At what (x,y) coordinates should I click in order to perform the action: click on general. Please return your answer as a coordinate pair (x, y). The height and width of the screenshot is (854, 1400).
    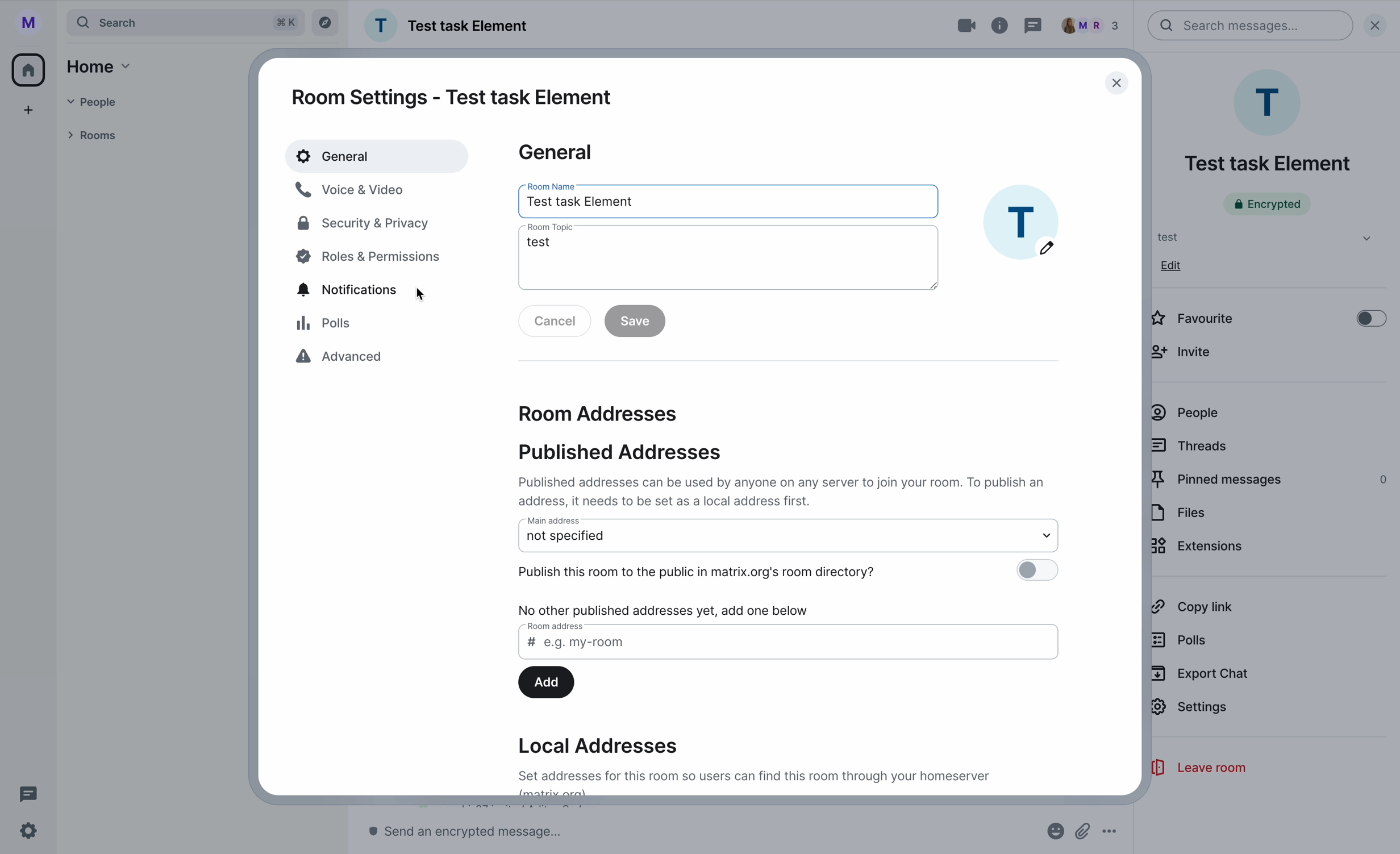
    Looking at the image, I should click on (558, 153).